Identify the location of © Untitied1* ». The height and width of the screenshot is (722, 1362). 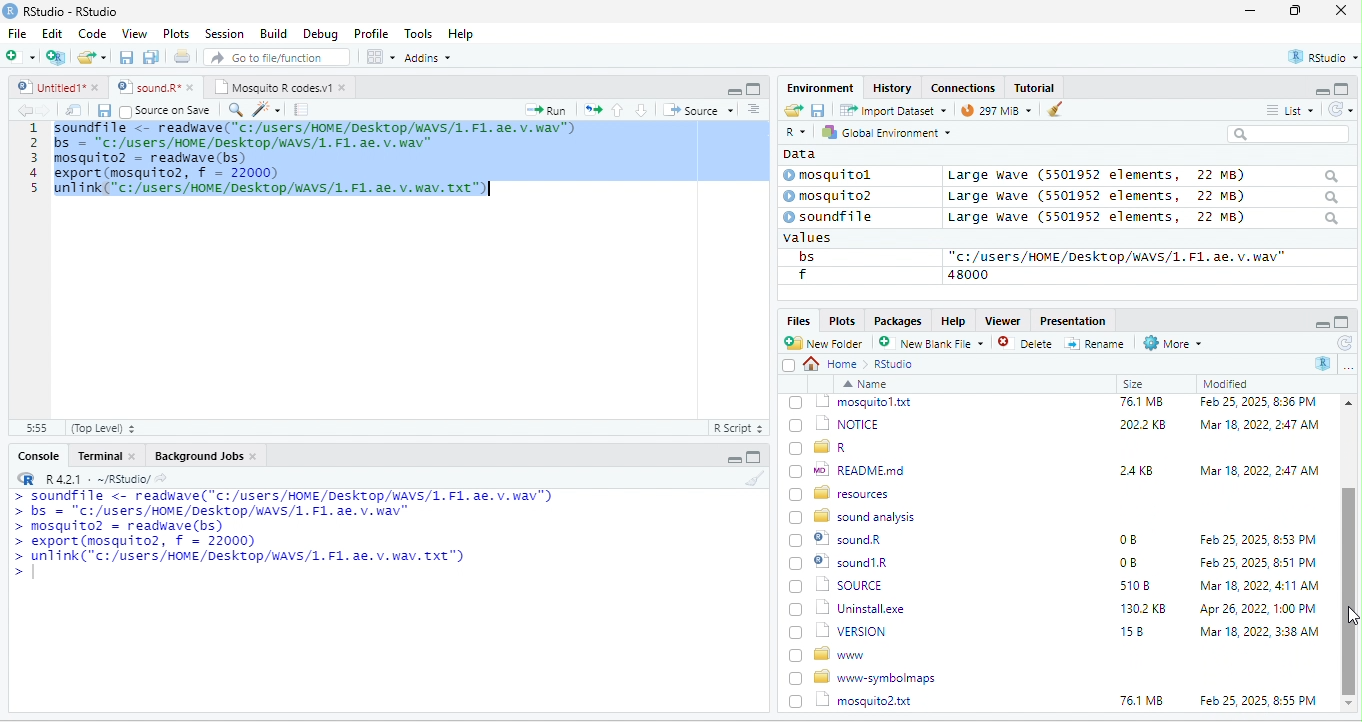
(54, 87).